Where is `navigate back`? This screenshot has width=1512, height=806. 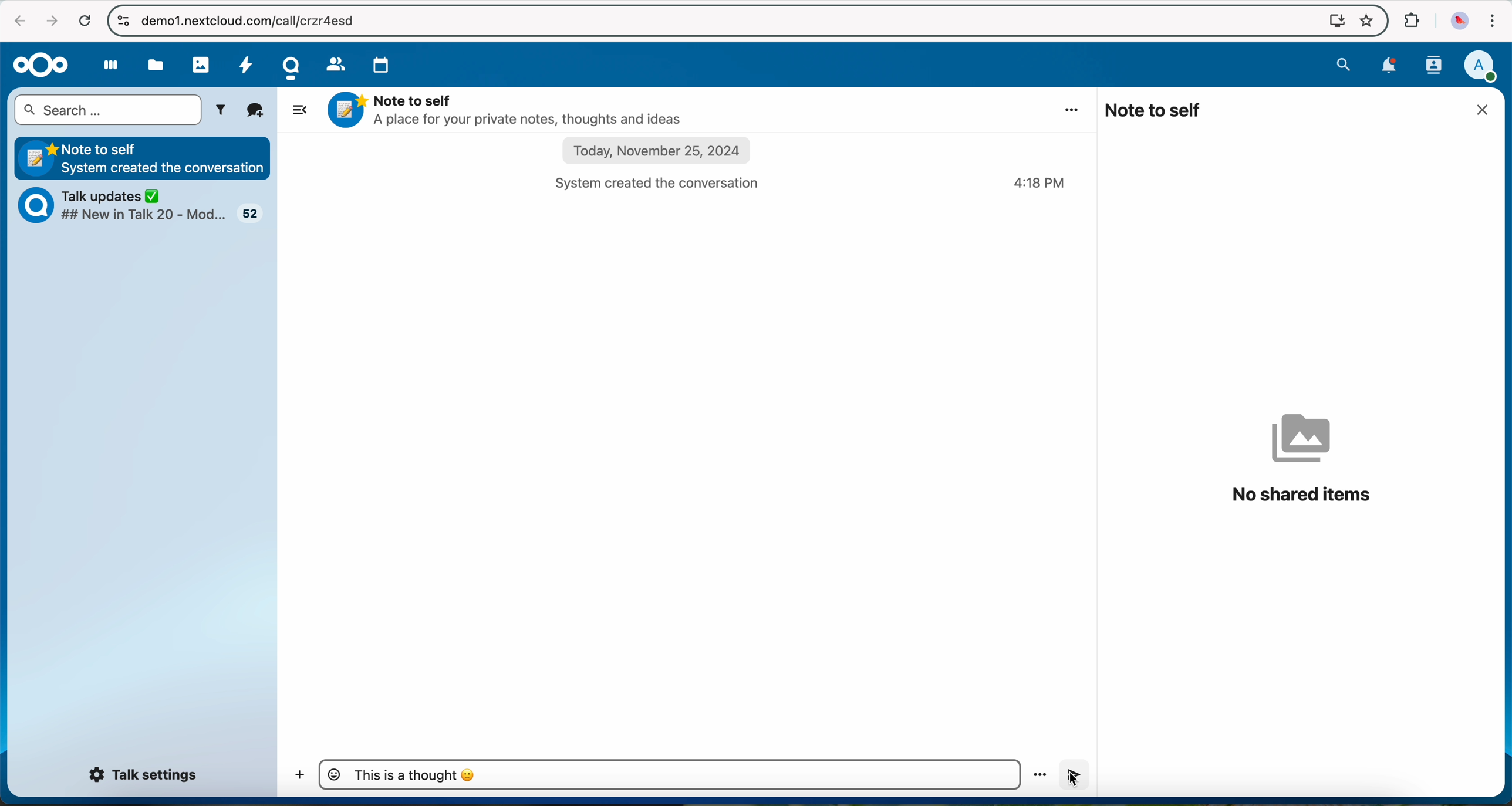 navigate back is located at coordinates (16, 21).